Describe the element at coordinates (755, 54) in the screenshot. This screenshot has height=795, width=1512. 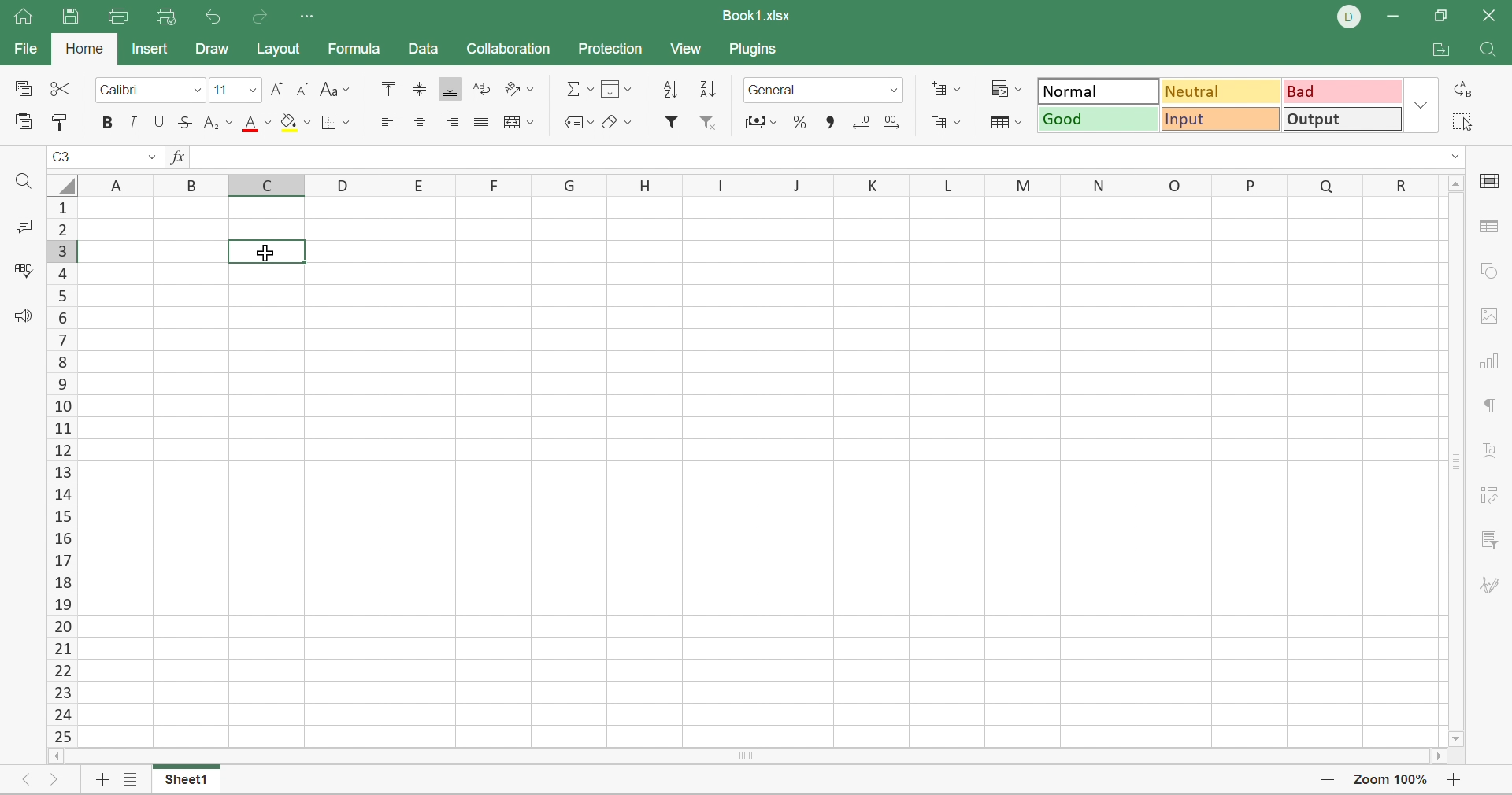
I see `Plugins` at that location.